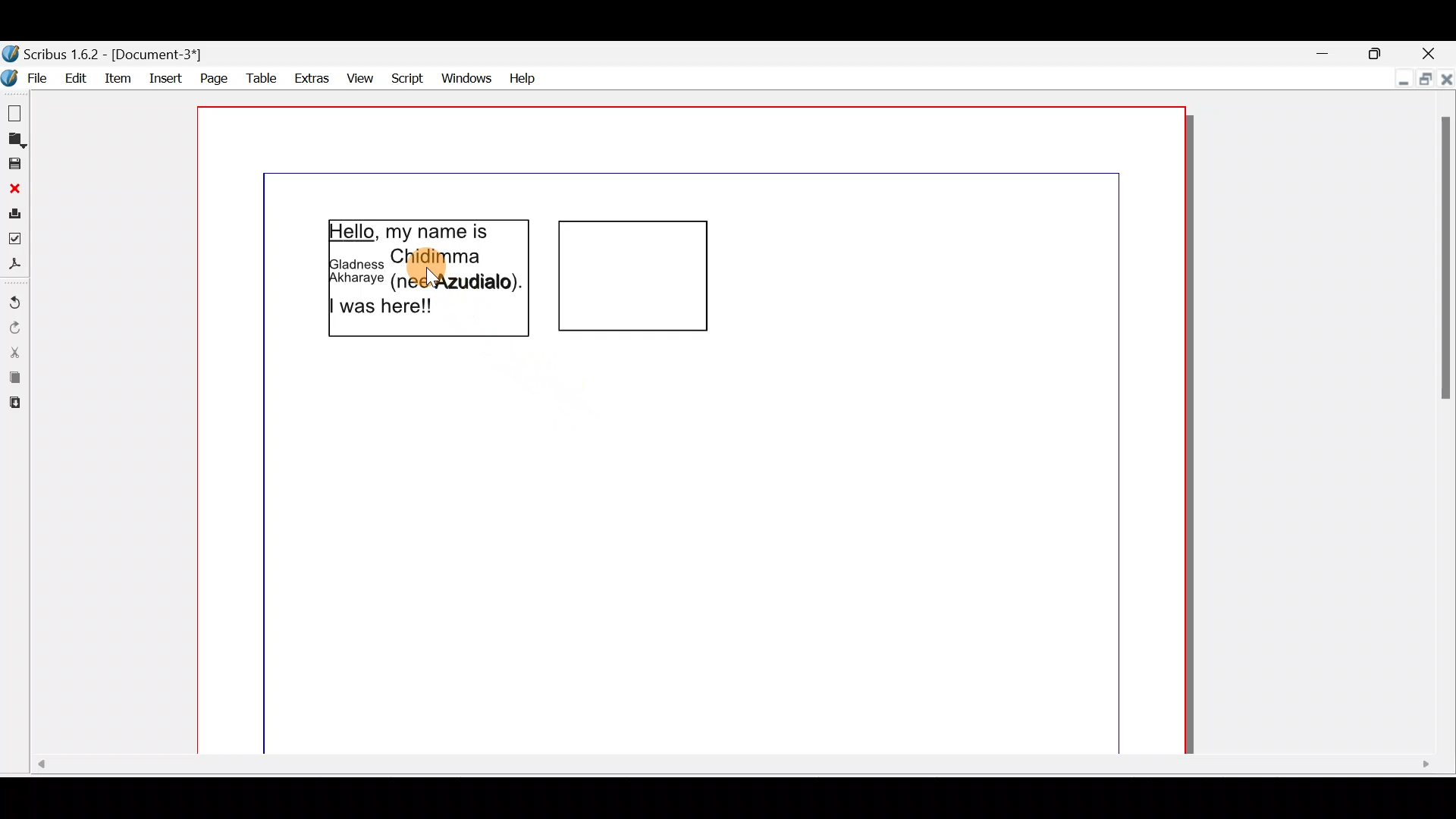 This screenshot has height=819, width=1456. Describe the element at coordinates (14, 188) in the screenshot. I see `Close` at that location.